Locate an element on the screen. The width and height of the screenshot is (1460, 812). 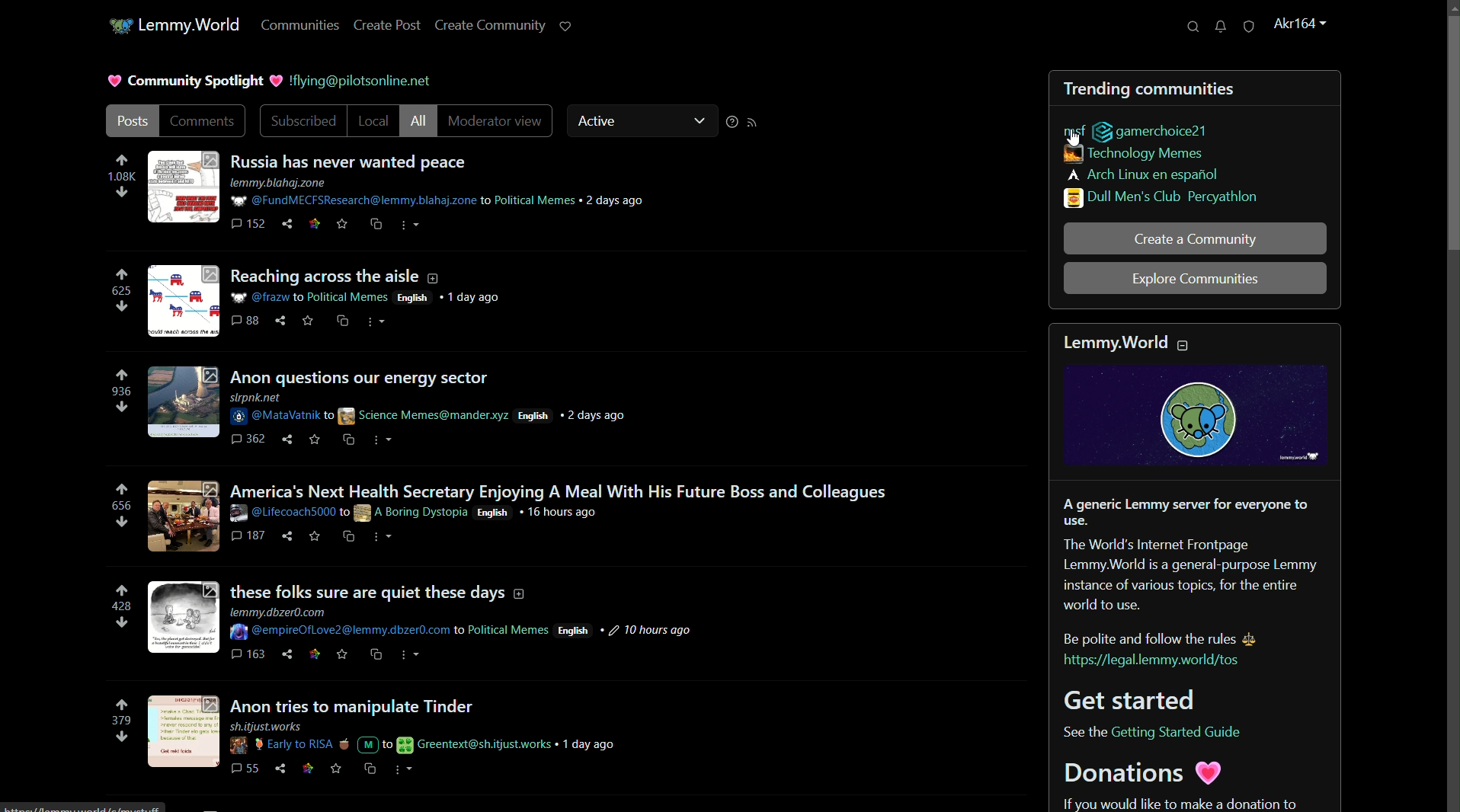
comments is located at coordinates (249, 436).